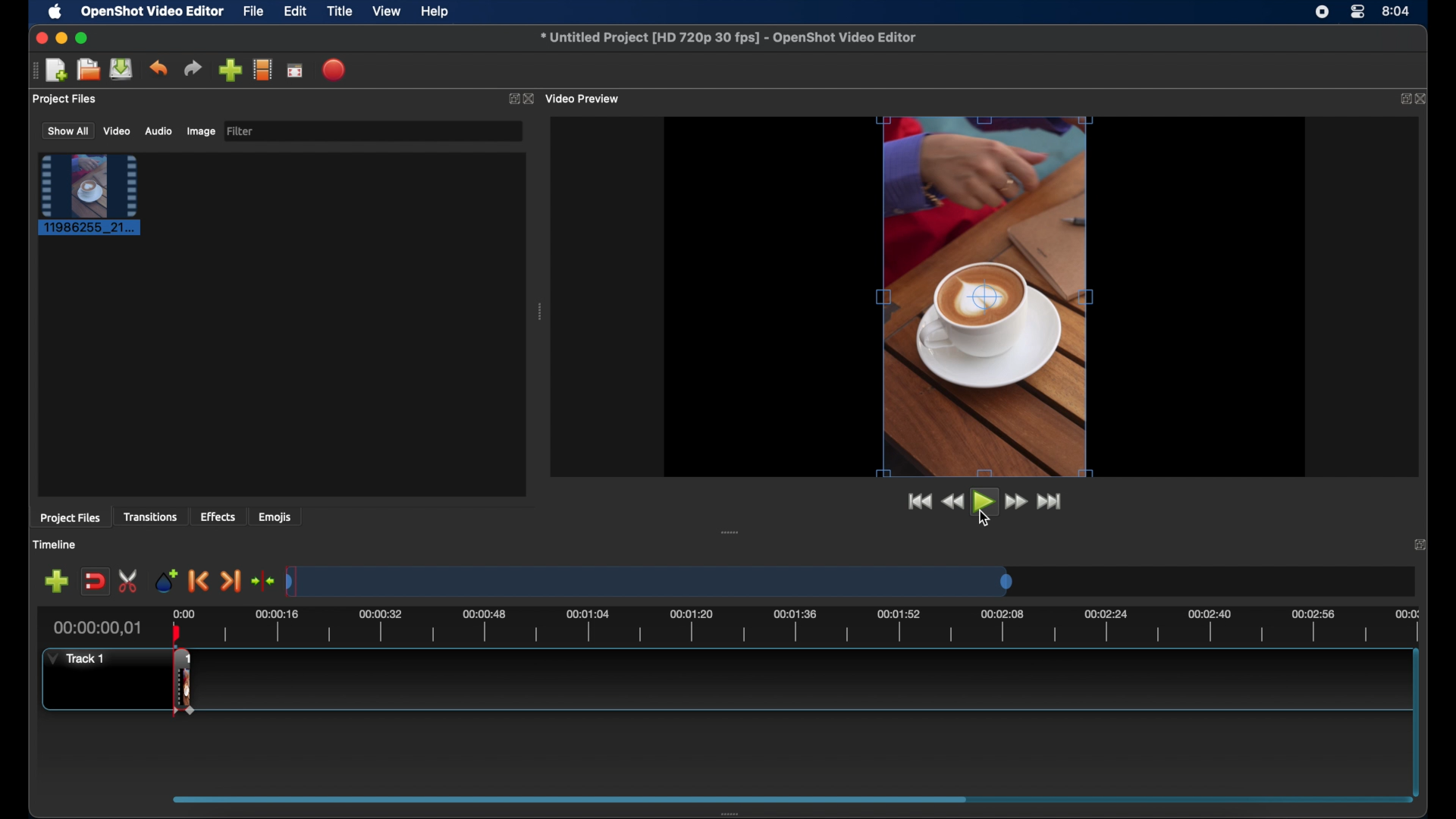 Image resolution: width=1456 pixels, height=819 pixels. I want to click on new project, so click(58, 69).